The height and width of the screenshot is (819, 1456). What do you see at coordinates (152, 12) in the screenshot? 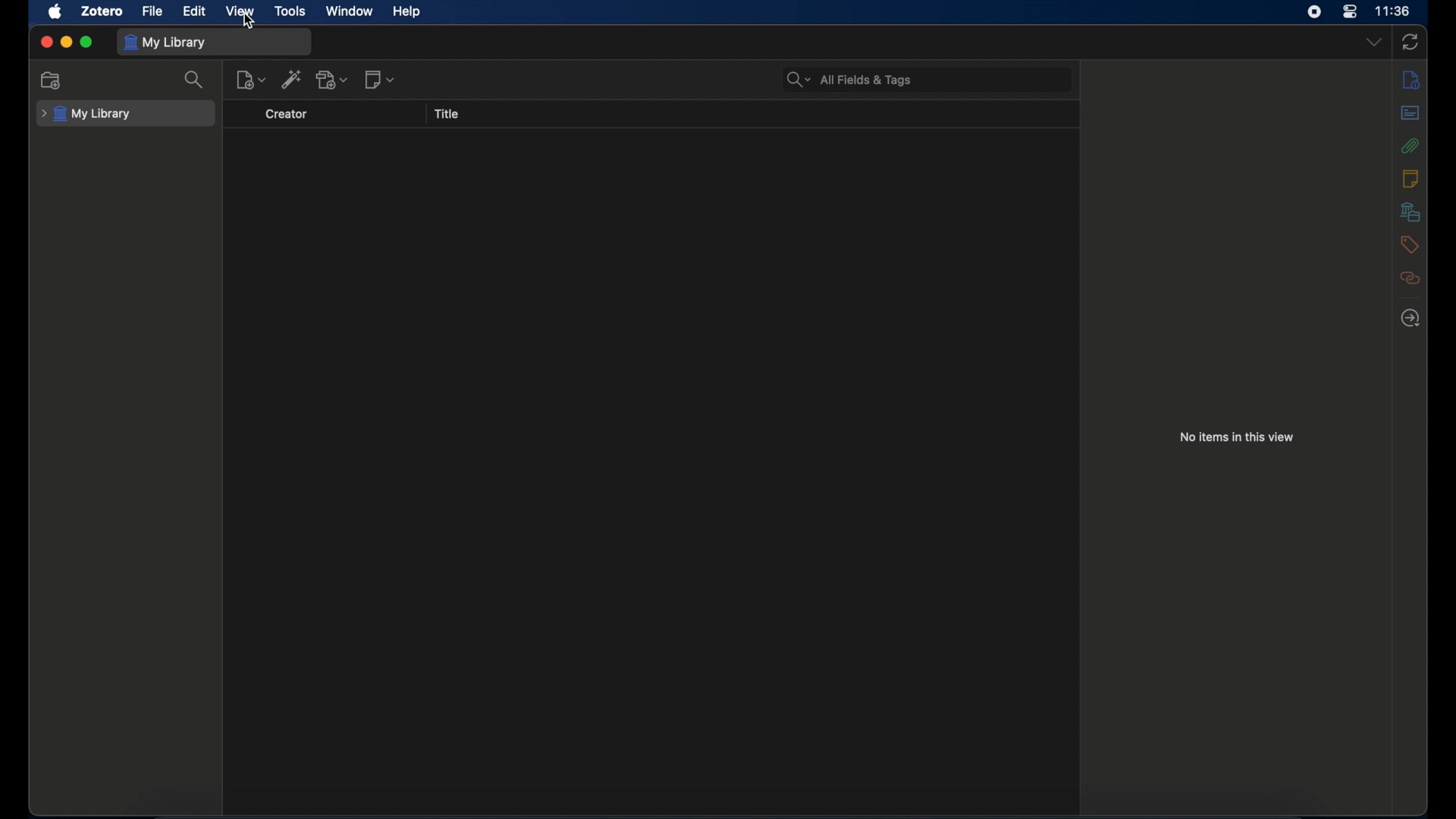
I see `file` at bounding box center [152, 12].